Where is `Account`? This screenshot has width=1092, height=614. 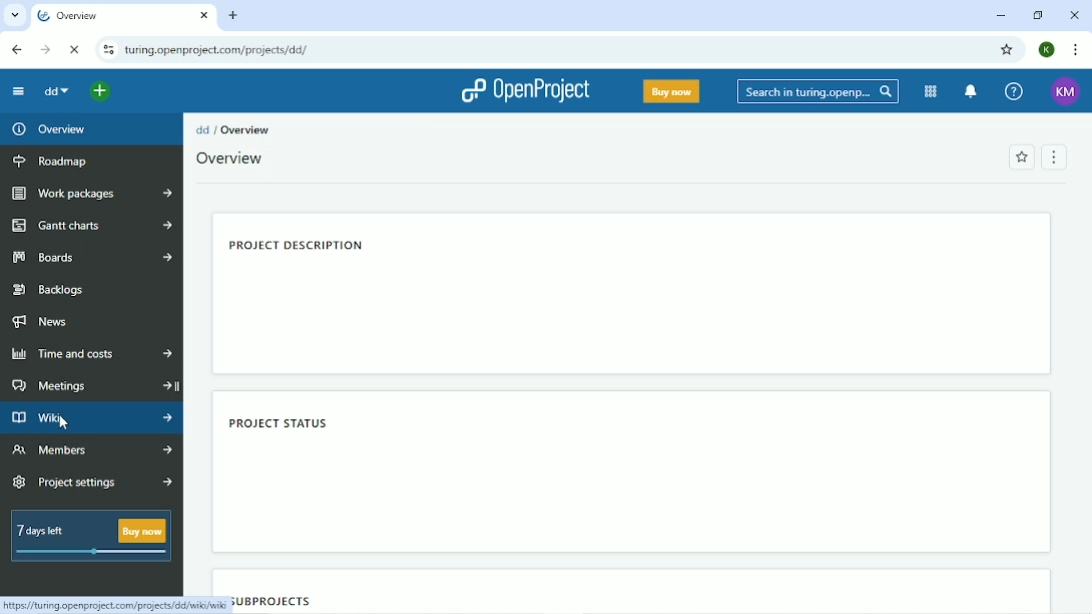 Account is located at coordinates (1063, 92).